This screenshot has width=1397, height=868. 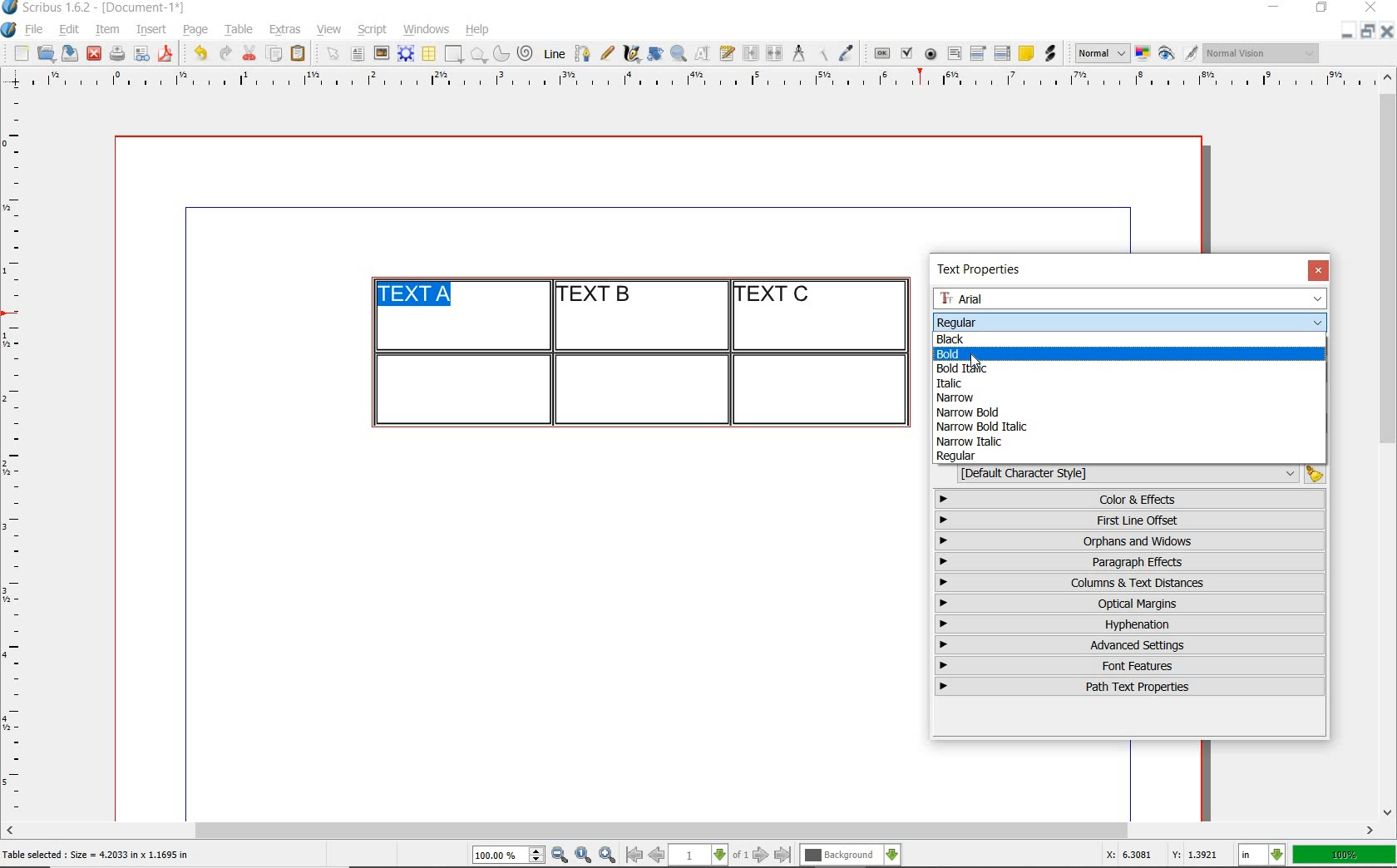 I want to click on open, so click(x=45, y=52).